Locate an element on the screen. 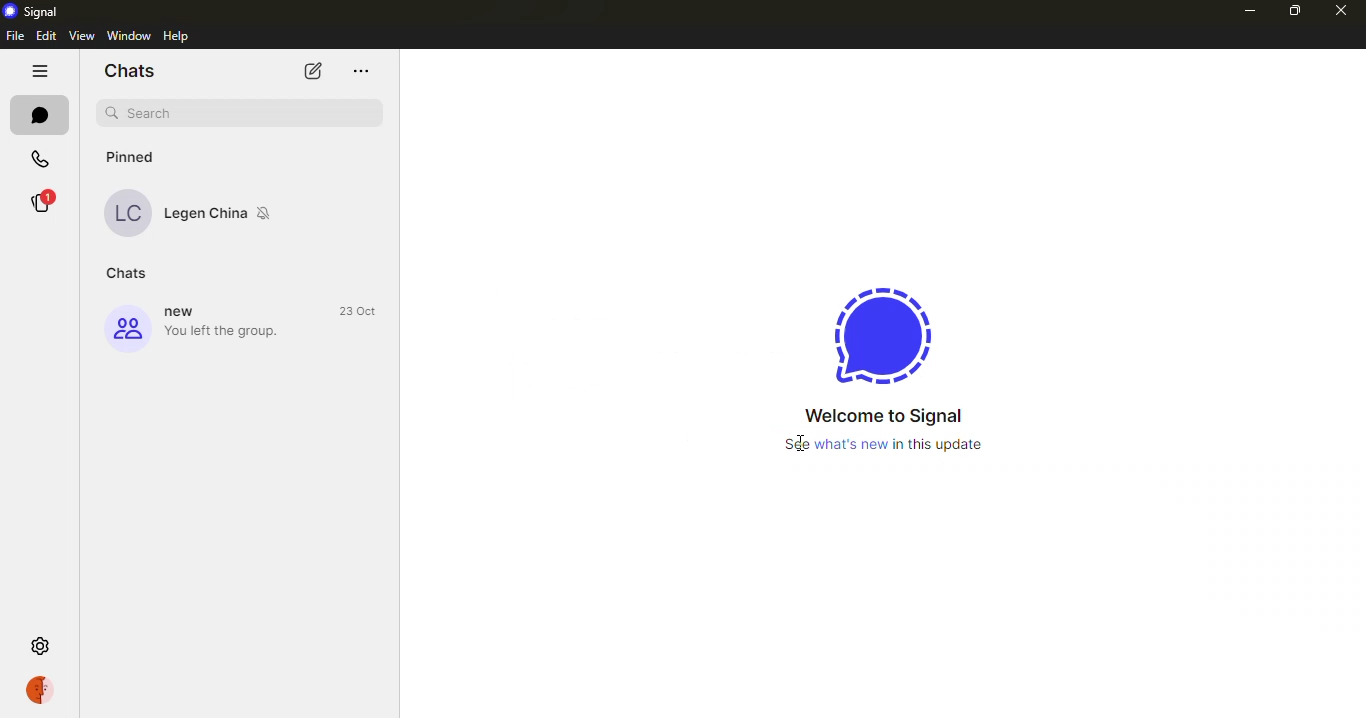 This screenshot has height=718, width=1366. chats is located at coordinates (127, 69).